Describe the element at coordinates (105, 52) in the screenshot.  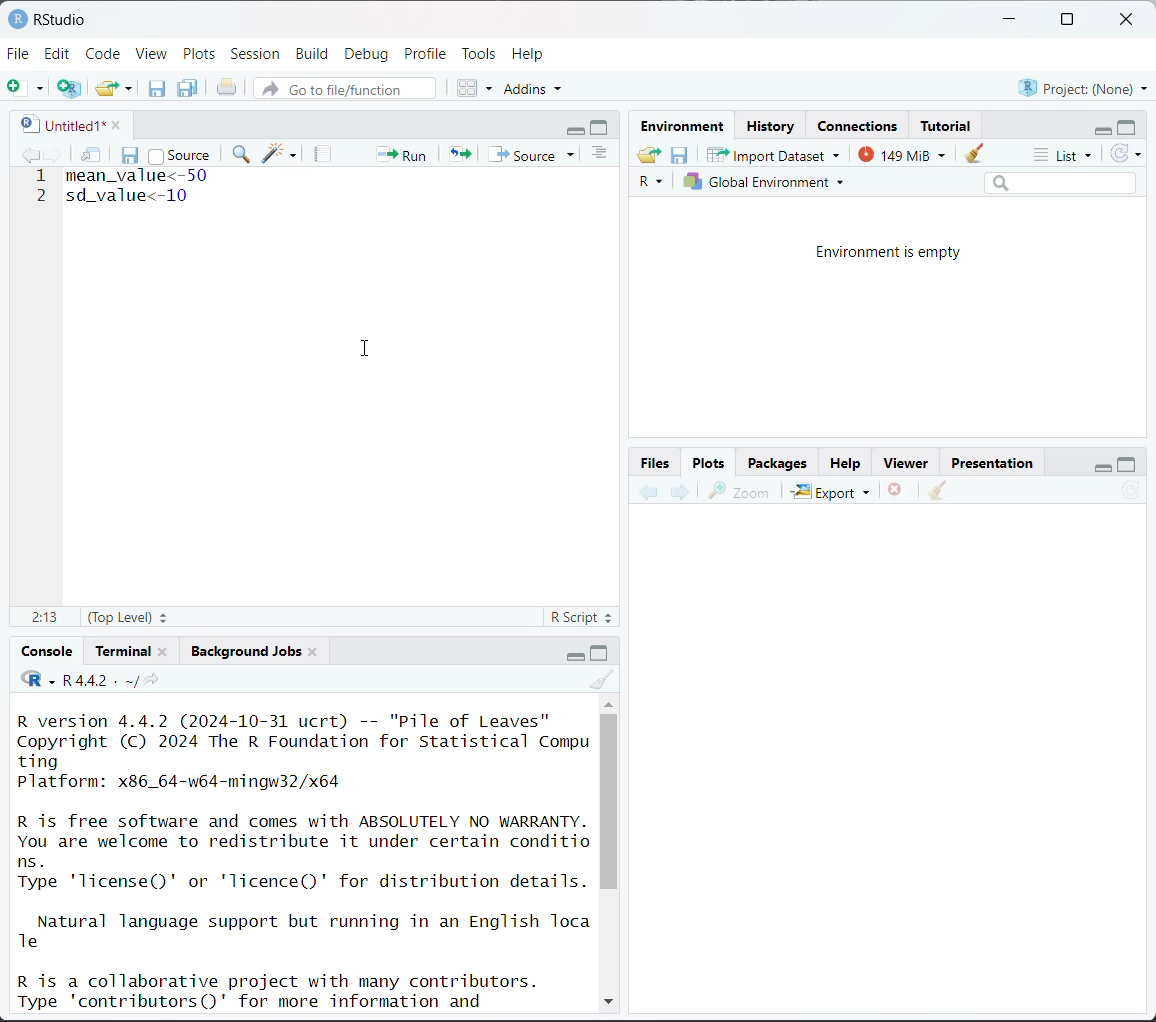
I see `Code` at that location.